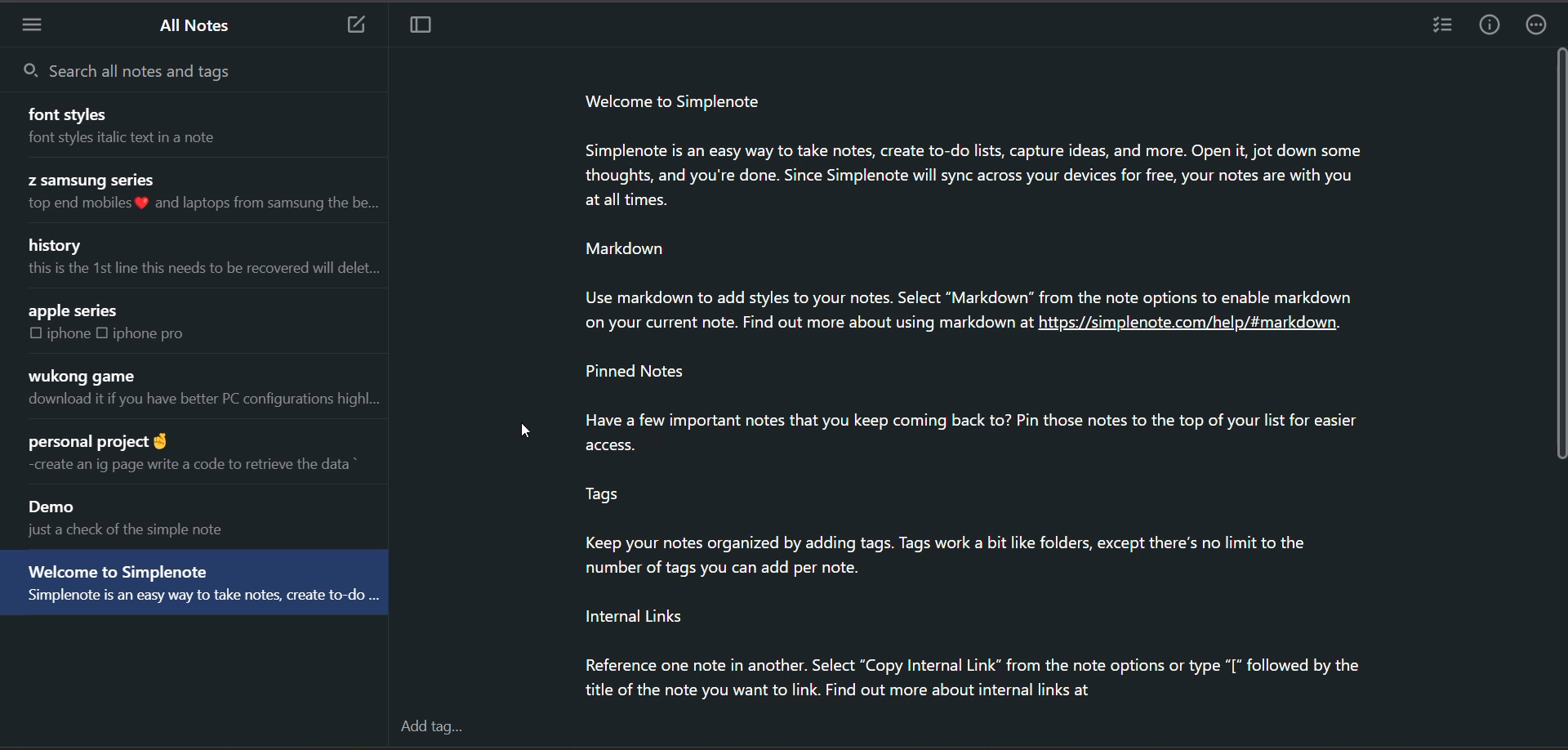 Image resolution: width=1568 pixels, height=750 pixels. What do you see at coordinates (954, 500) in the screenshot?
I see `Pinned Notes
3
Have a few important notes that you keep coming back to? Pin those notes to the top of your list for easier
access.
Tags
Keep your notes organized by adding tags. Tags work a bit like folders, except there's no limit to the number of
tags you can add per note.
Internal Links` at bounding box center [954, 500].